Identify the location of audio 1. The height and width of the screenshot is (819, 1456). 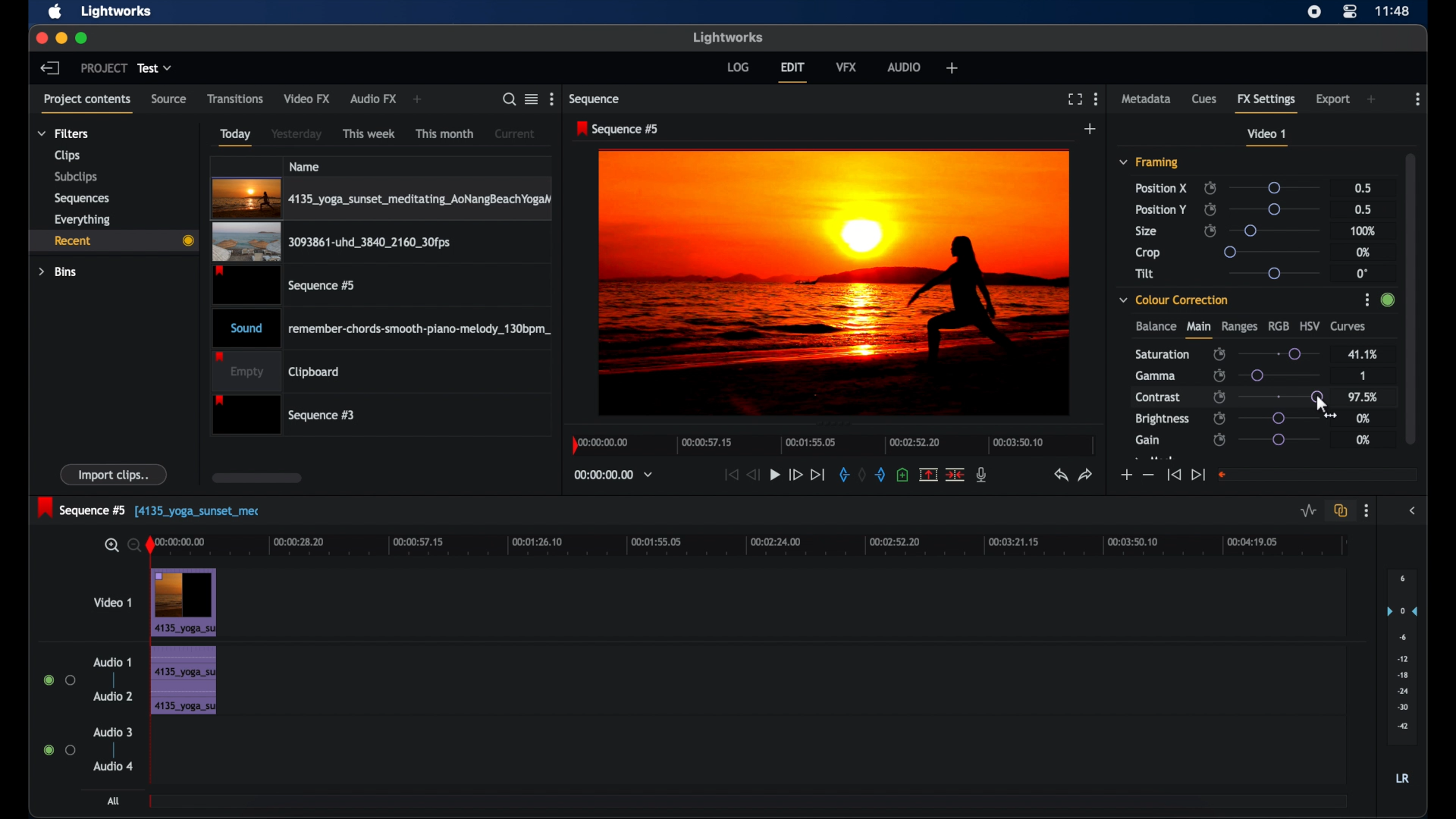
(112, 662).